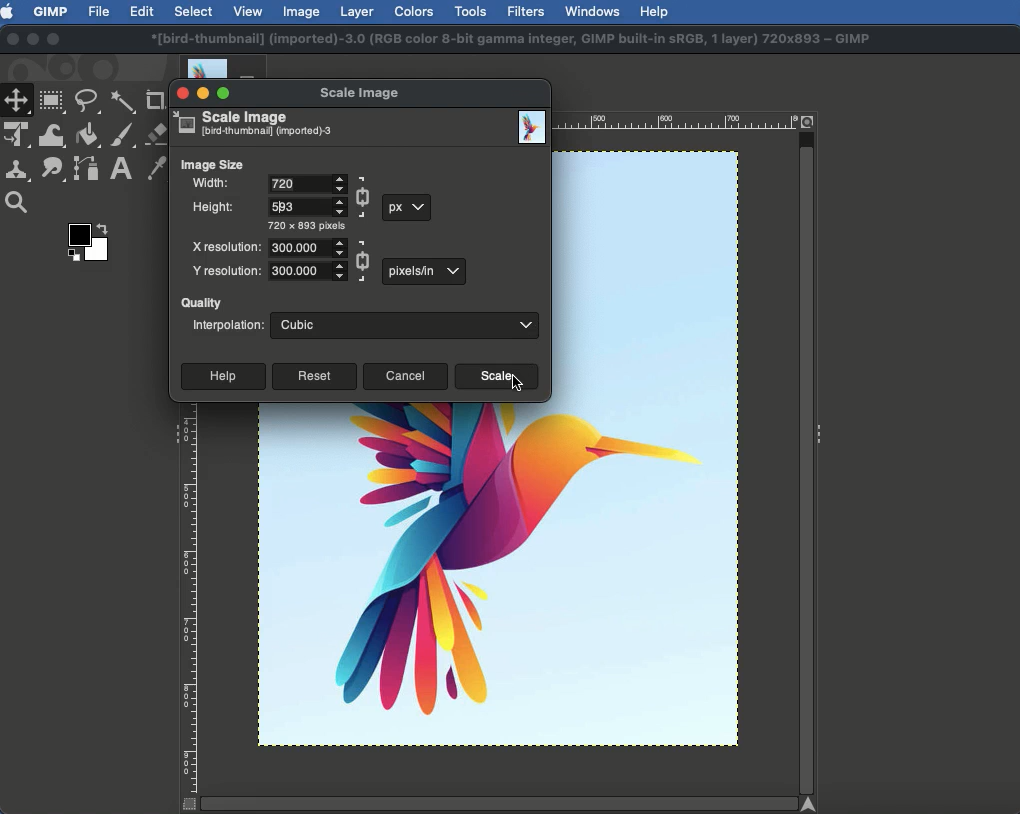 The width and height of the screenshot is (1020, 814). I want to click on Minimize, so click(32, 38).